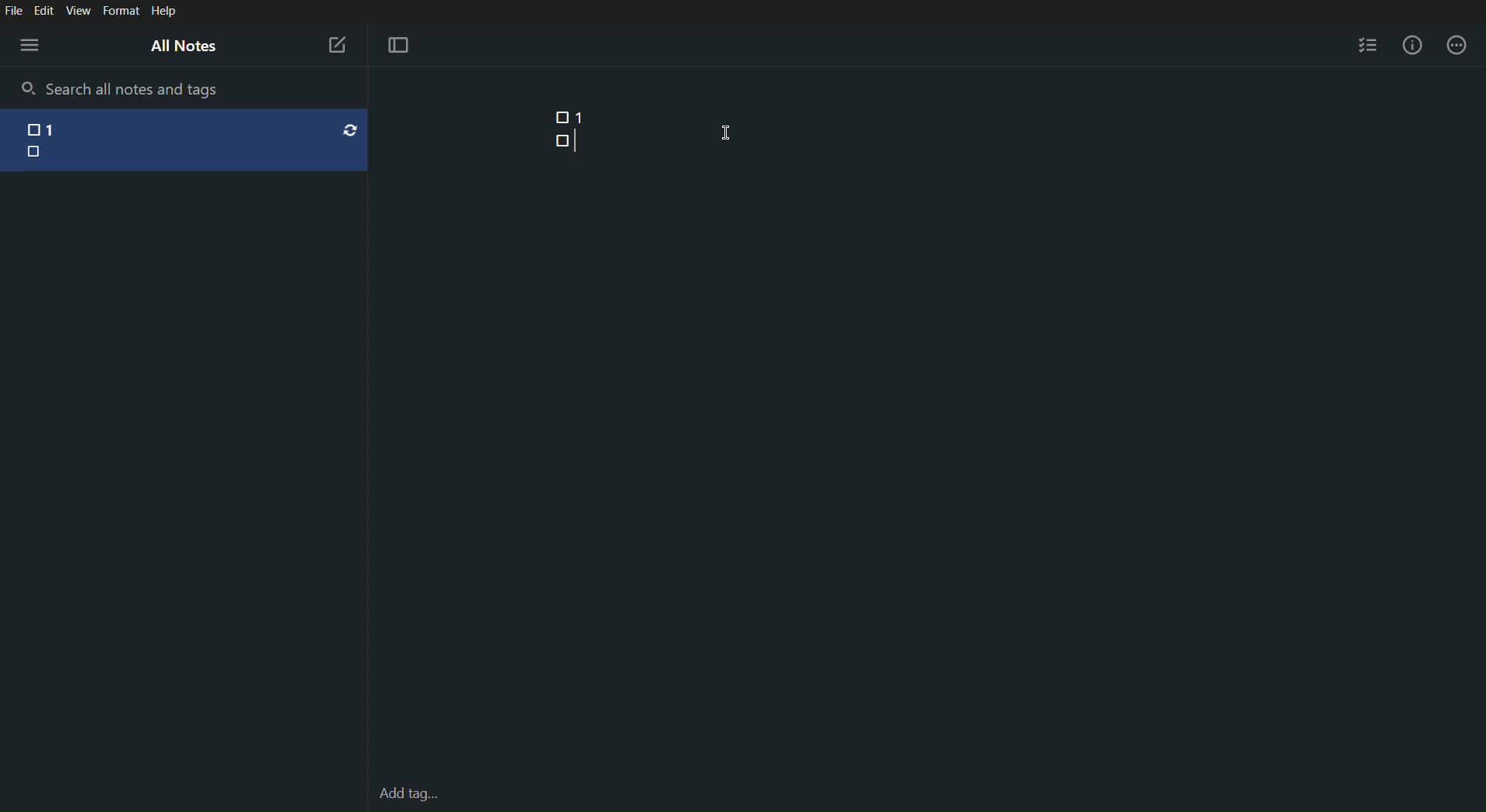  Describe the element at coordinates (32, 126) in the screenshot. I see `checkbox` at that location.